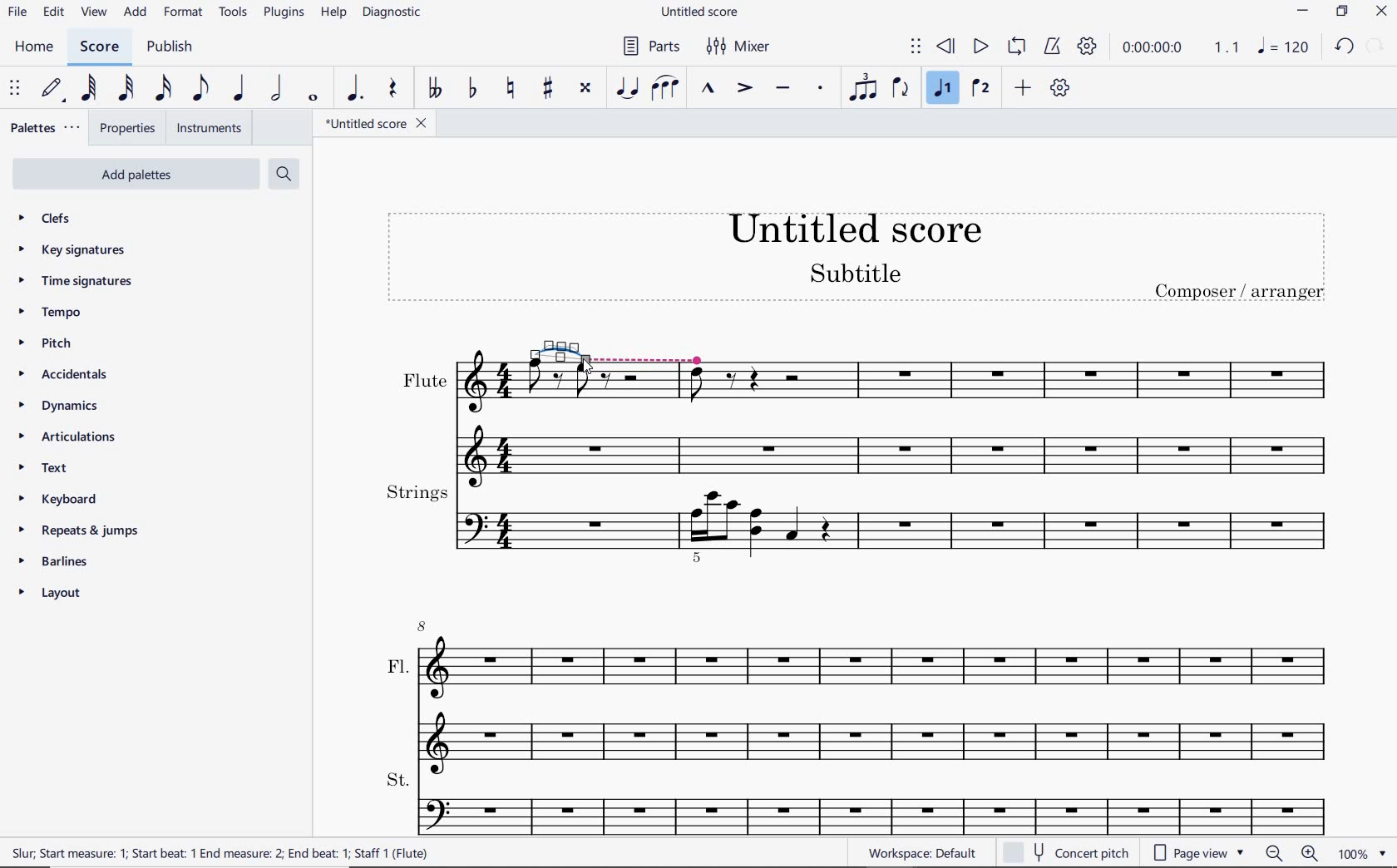 The image size is (1397, 868). What do you see at coordinates (280, 89) in the screenshot?
I see `HALF NOTE` at bounding box center [280, 89].